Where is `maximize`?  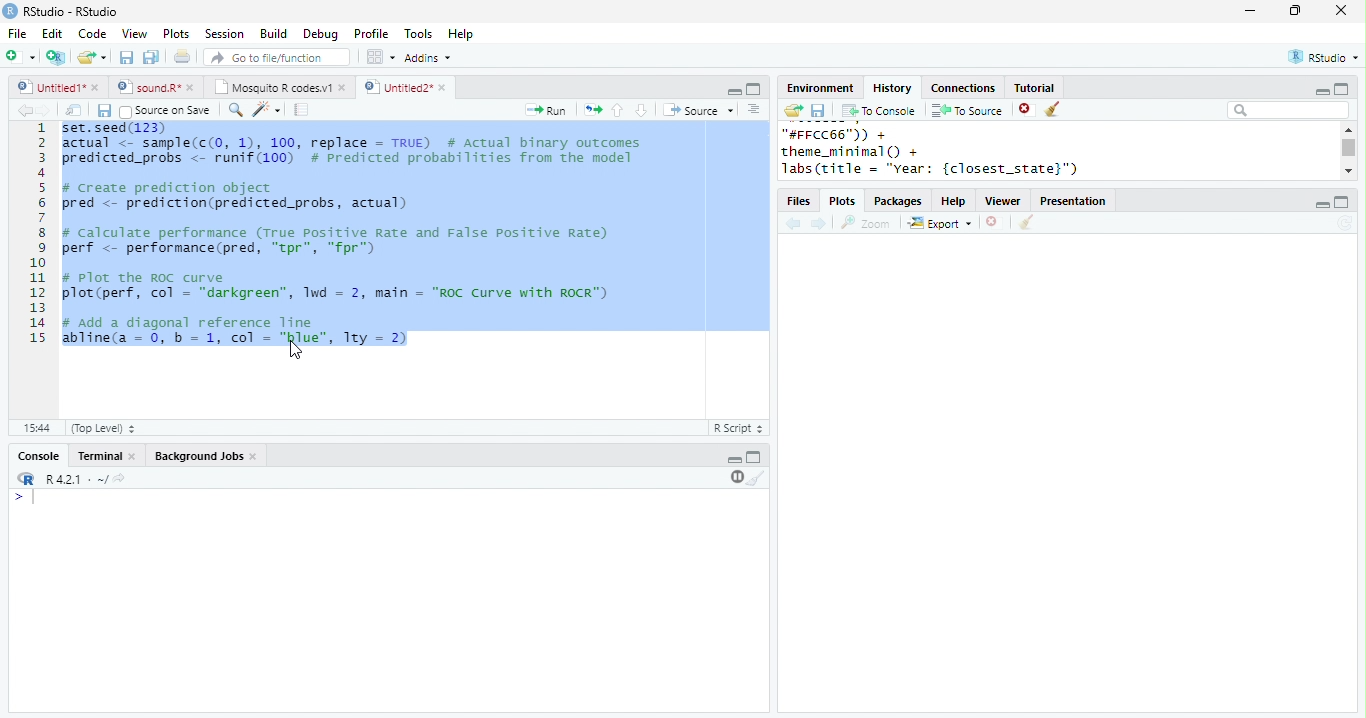 maximize is located at coordinates (1342, 202).